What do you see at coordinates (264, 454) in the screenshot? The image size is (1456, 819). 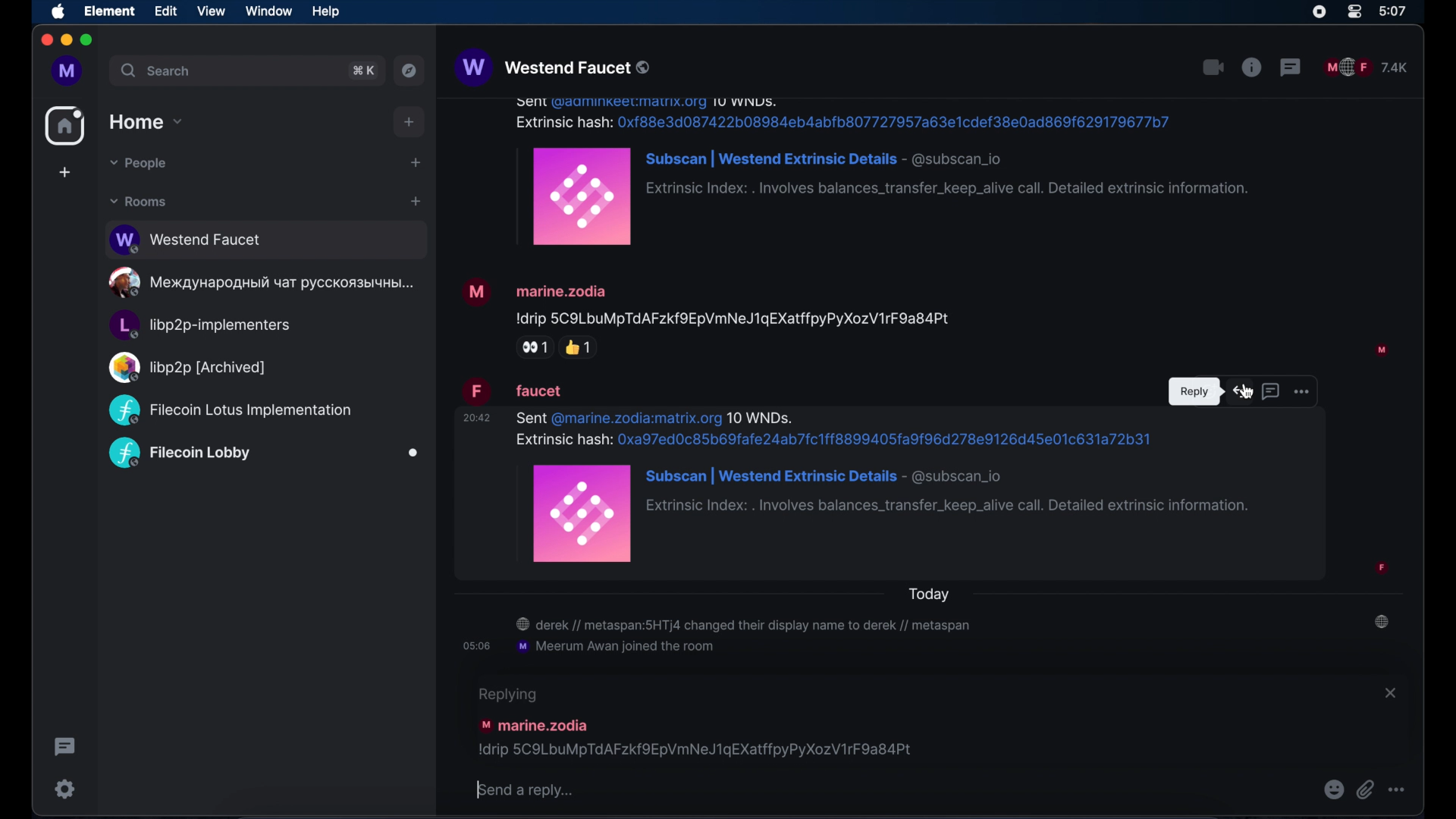 I see `public room` at bounding box center [264, 454].